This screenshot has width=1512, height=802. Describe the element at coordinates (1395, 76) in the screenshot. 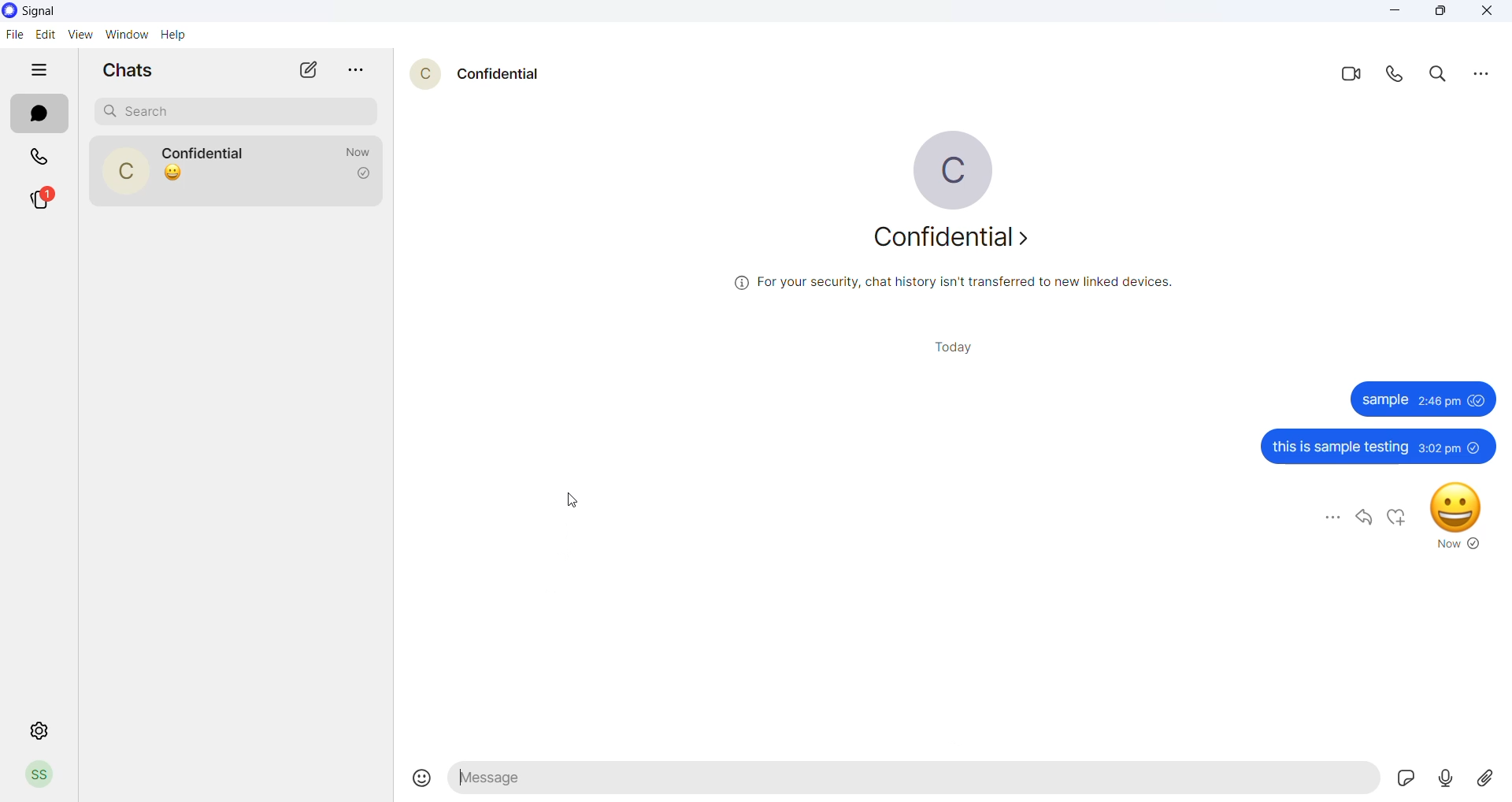

I see `voice call` at that location.